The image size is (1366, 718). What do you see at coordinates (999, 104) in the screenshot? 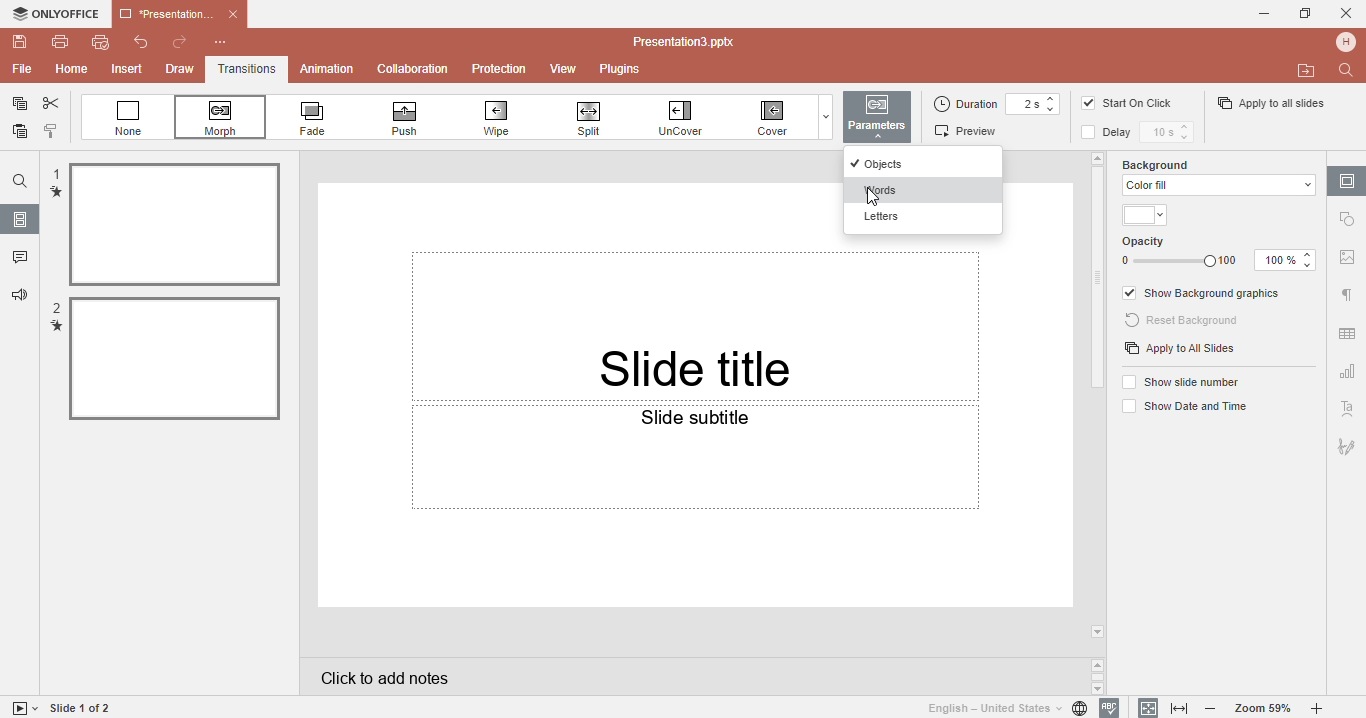
I see `Duration` at bounding box center [999, 104].